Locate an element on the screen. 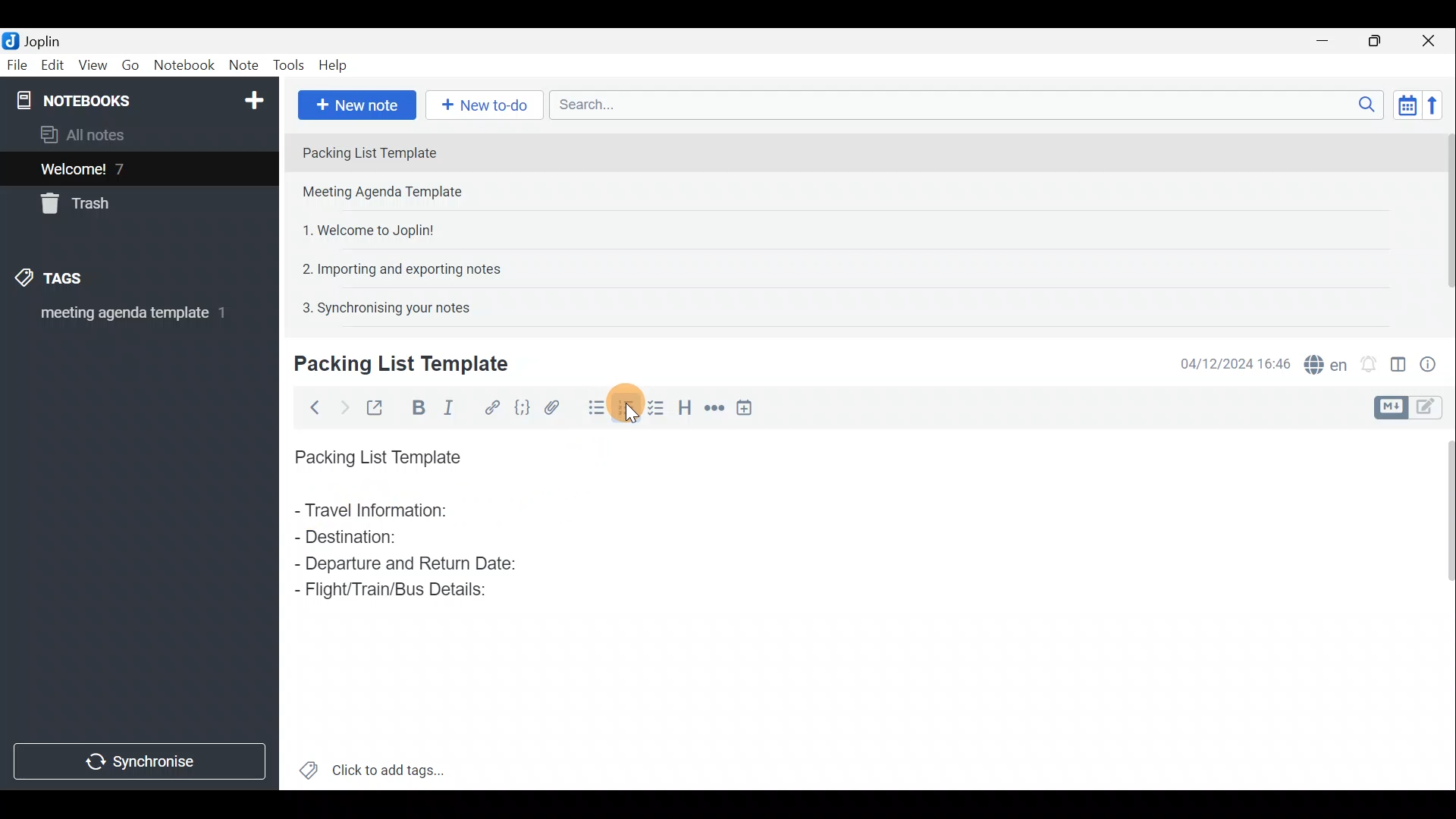 The image size is (1456, 819). Travel Information: is located at coordinates (384, 512).